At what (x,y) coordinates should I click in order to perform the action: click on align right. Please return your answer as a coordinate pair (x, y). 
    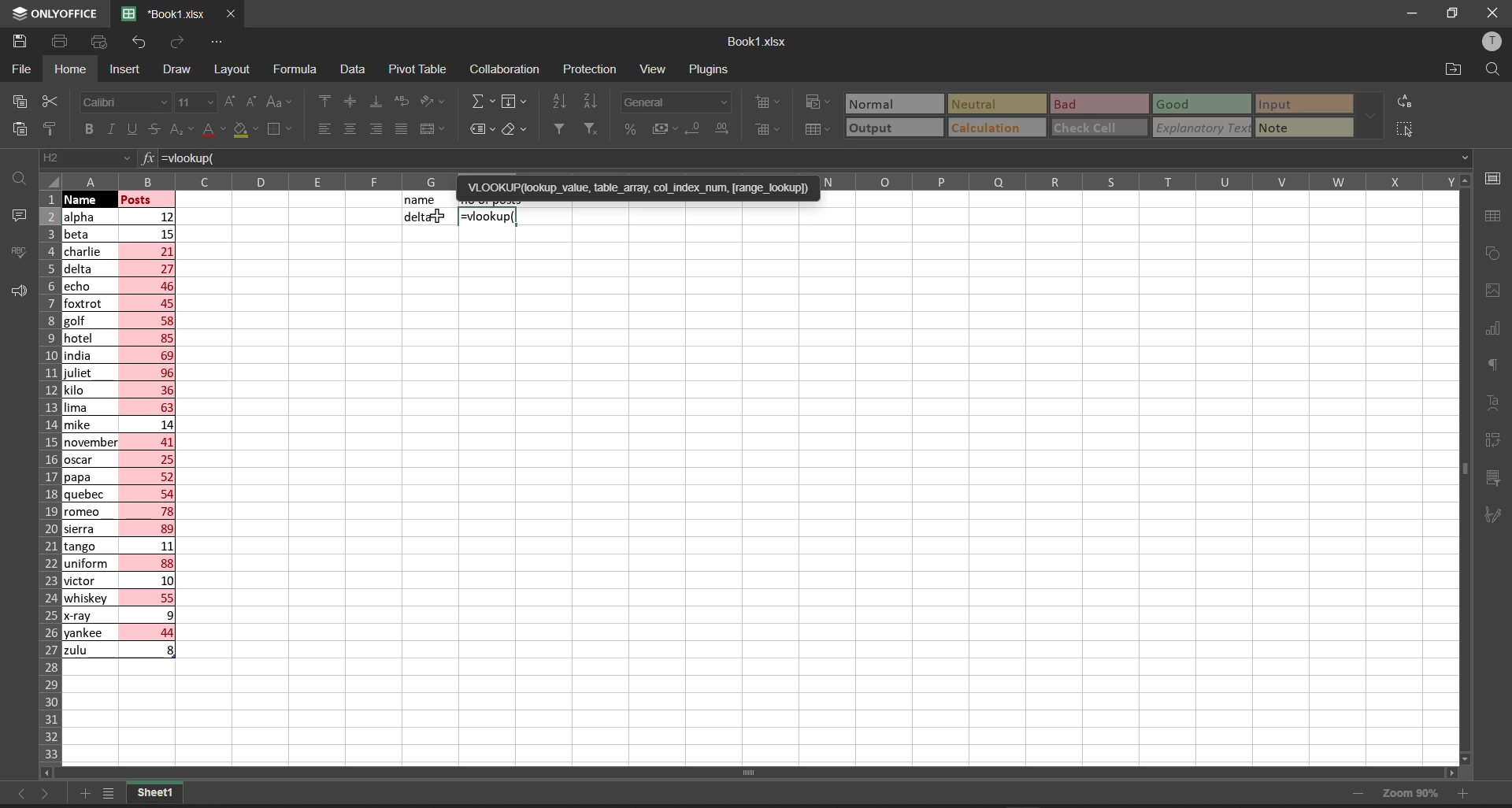
    Looking at the image, I should click on (372, 128).